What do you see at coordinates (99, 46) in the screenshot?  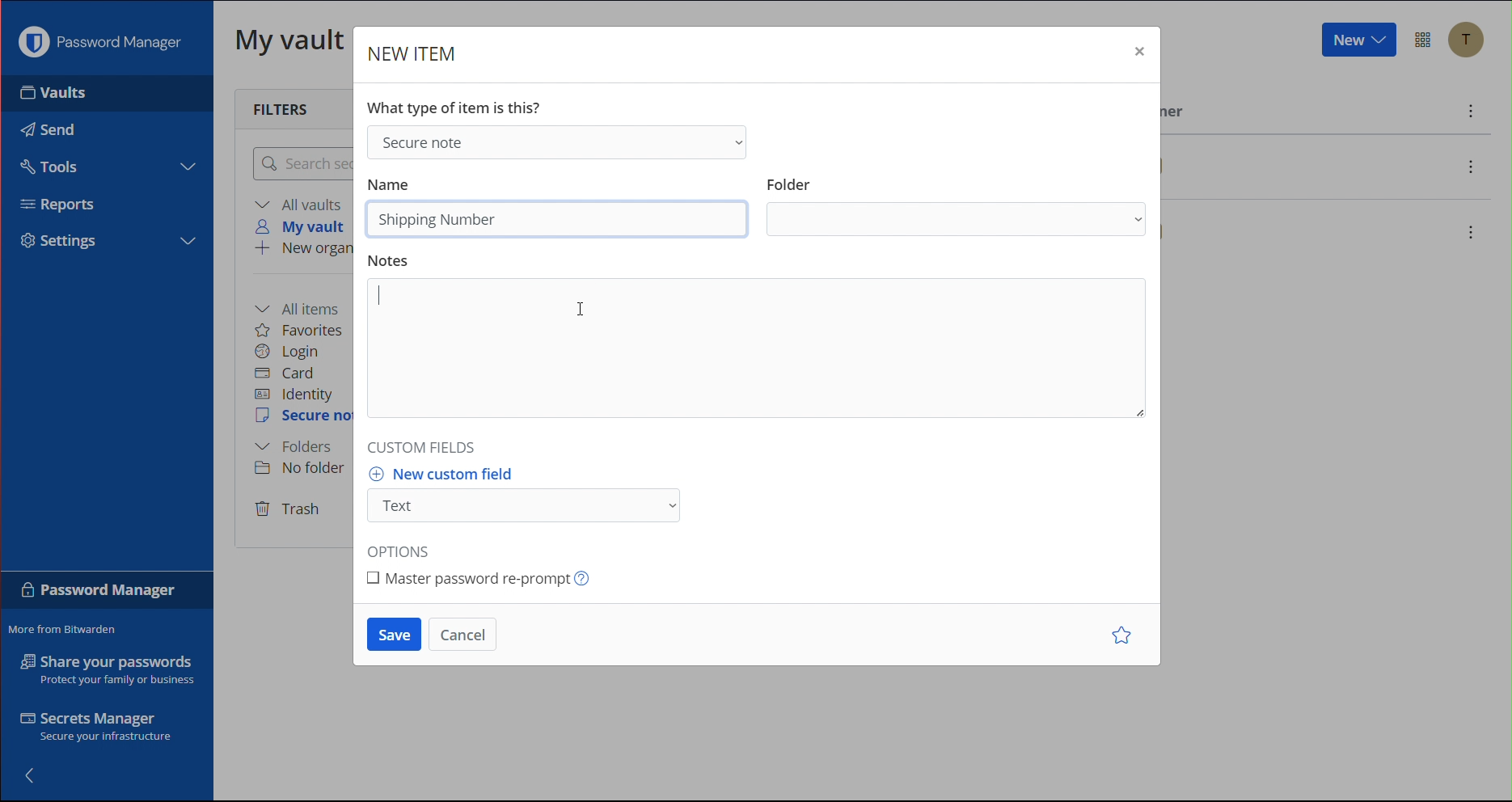 I see `Password Manager` at bounding box center [99, 46].